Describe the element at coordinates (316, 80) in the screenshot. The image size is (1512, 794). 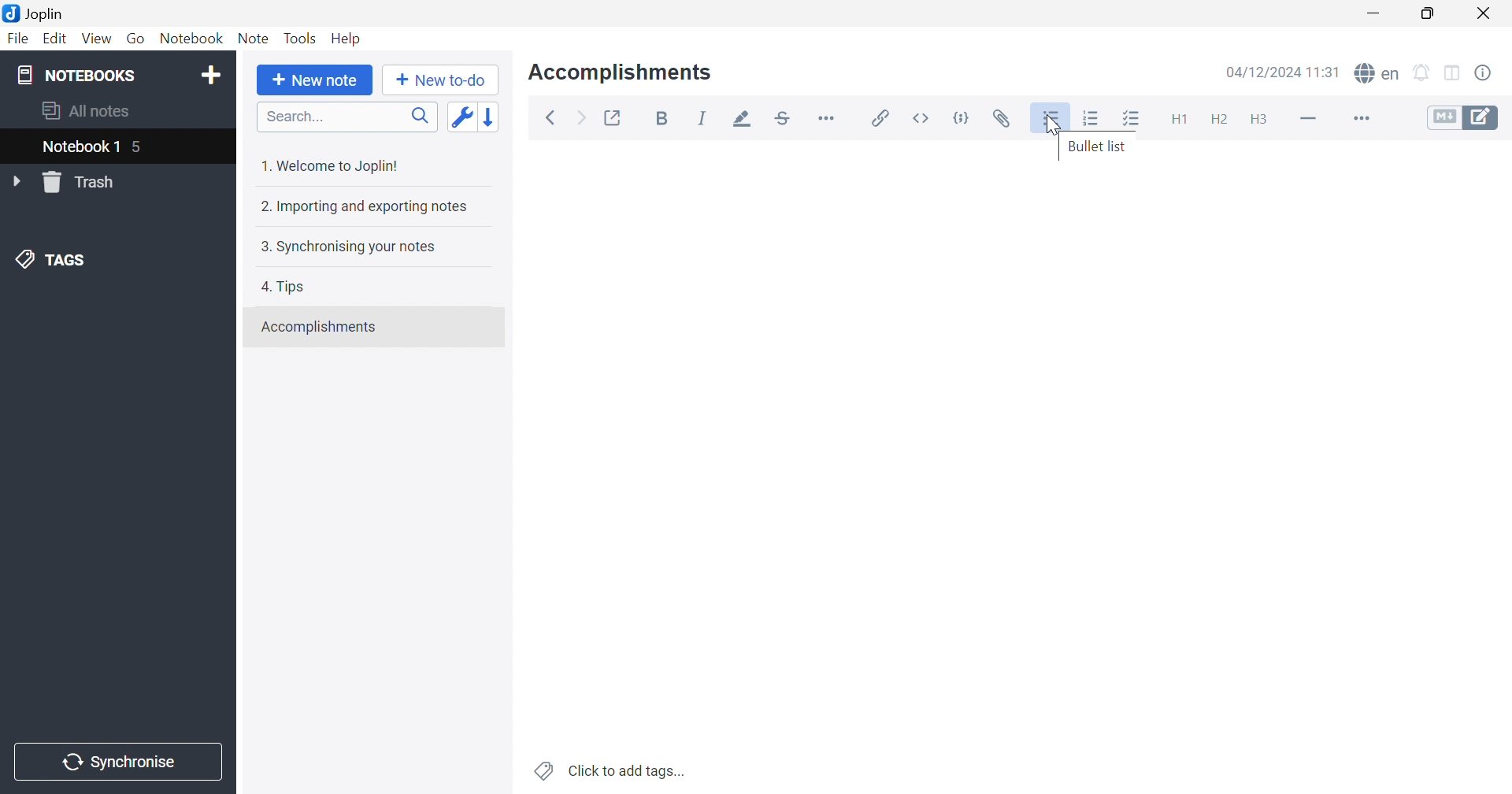
I see `New note` at that location.